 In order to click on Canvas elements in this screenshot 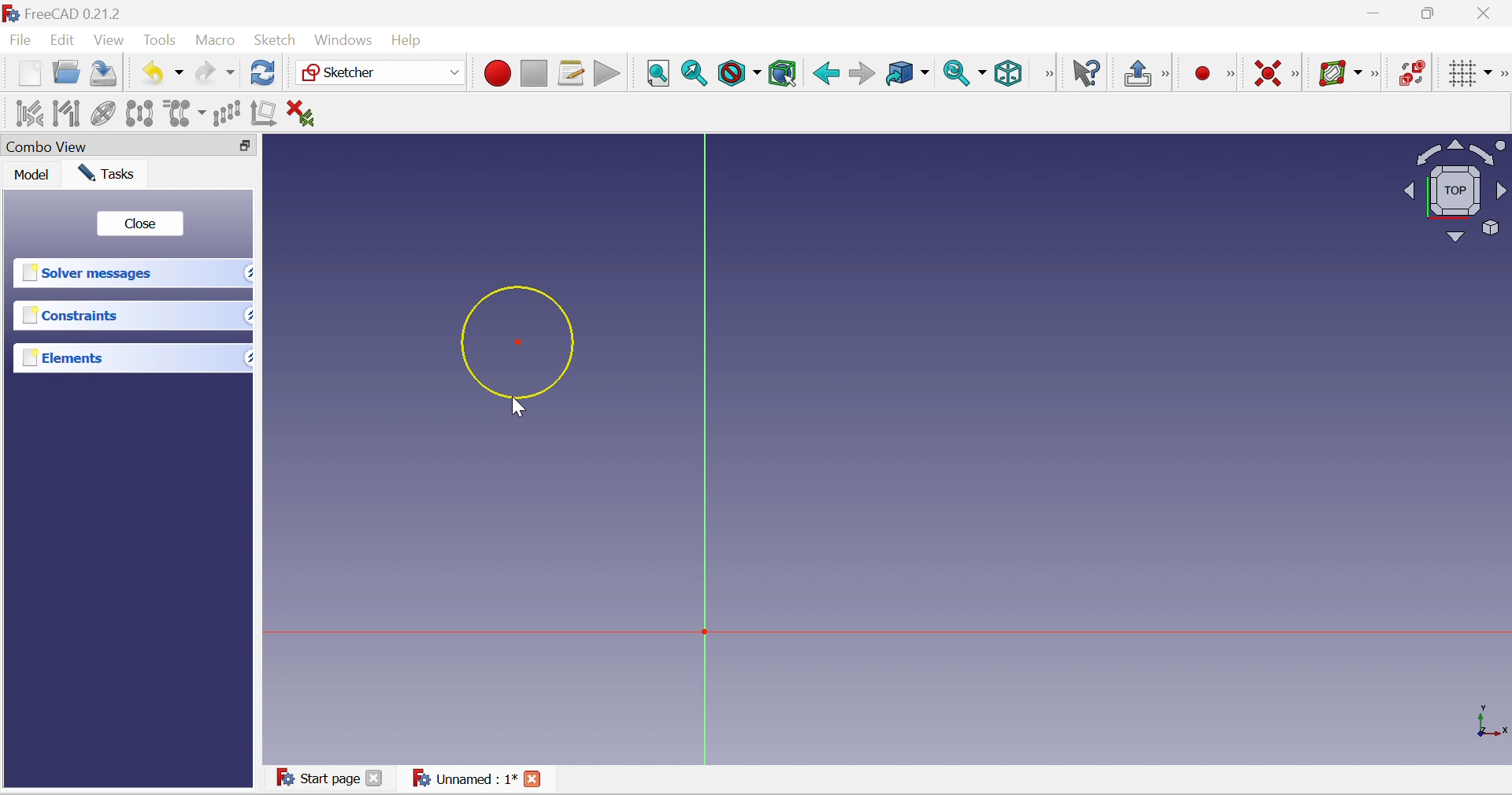, I will do `click(725, 604)`.